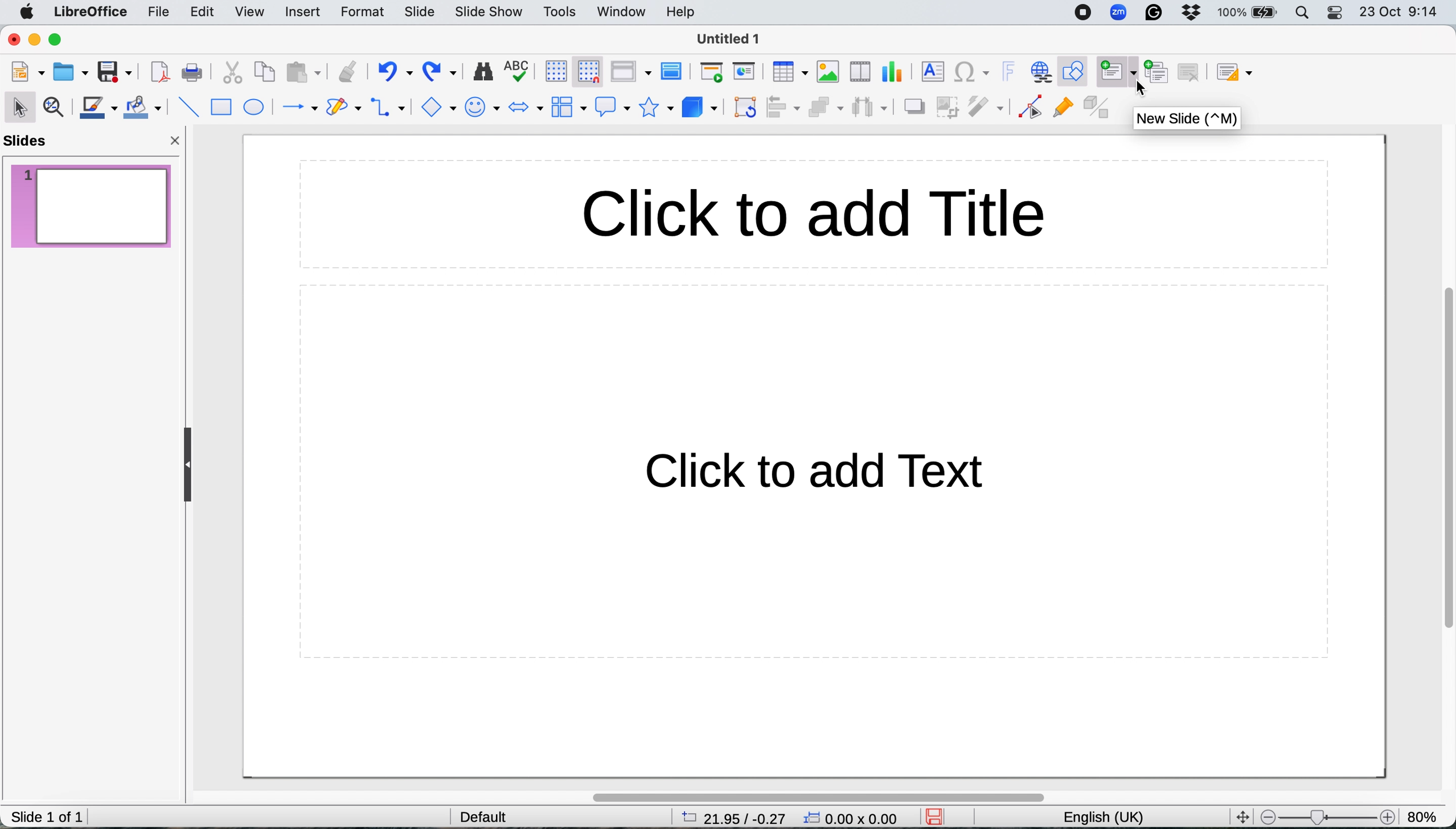  I want to click on redo, so click(442, 72).